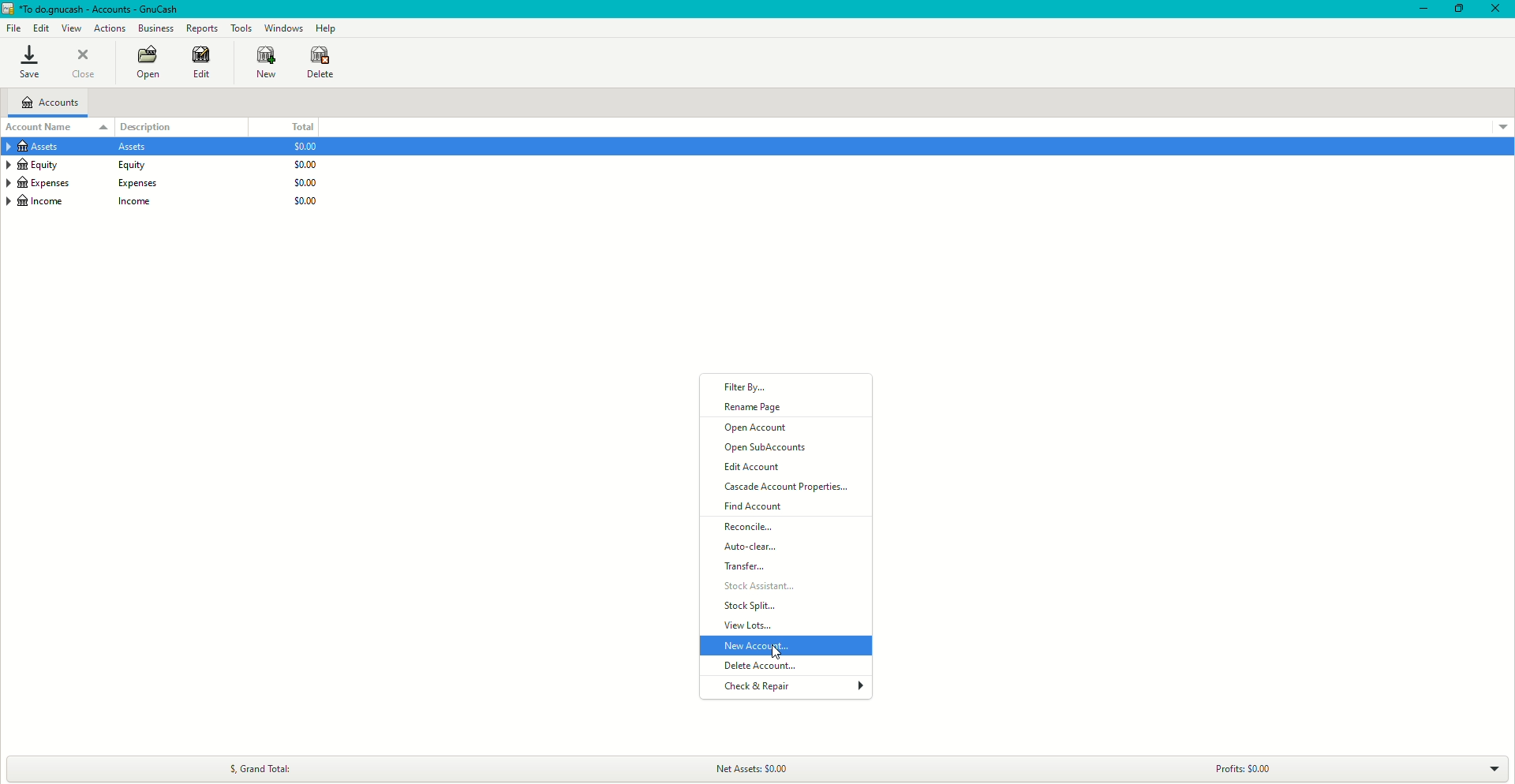 The image size is (1515, 784). What do you see at coordinates (1494, 768) in the screenshot?
I see `Drop down` at bounding box center [1494, 768].